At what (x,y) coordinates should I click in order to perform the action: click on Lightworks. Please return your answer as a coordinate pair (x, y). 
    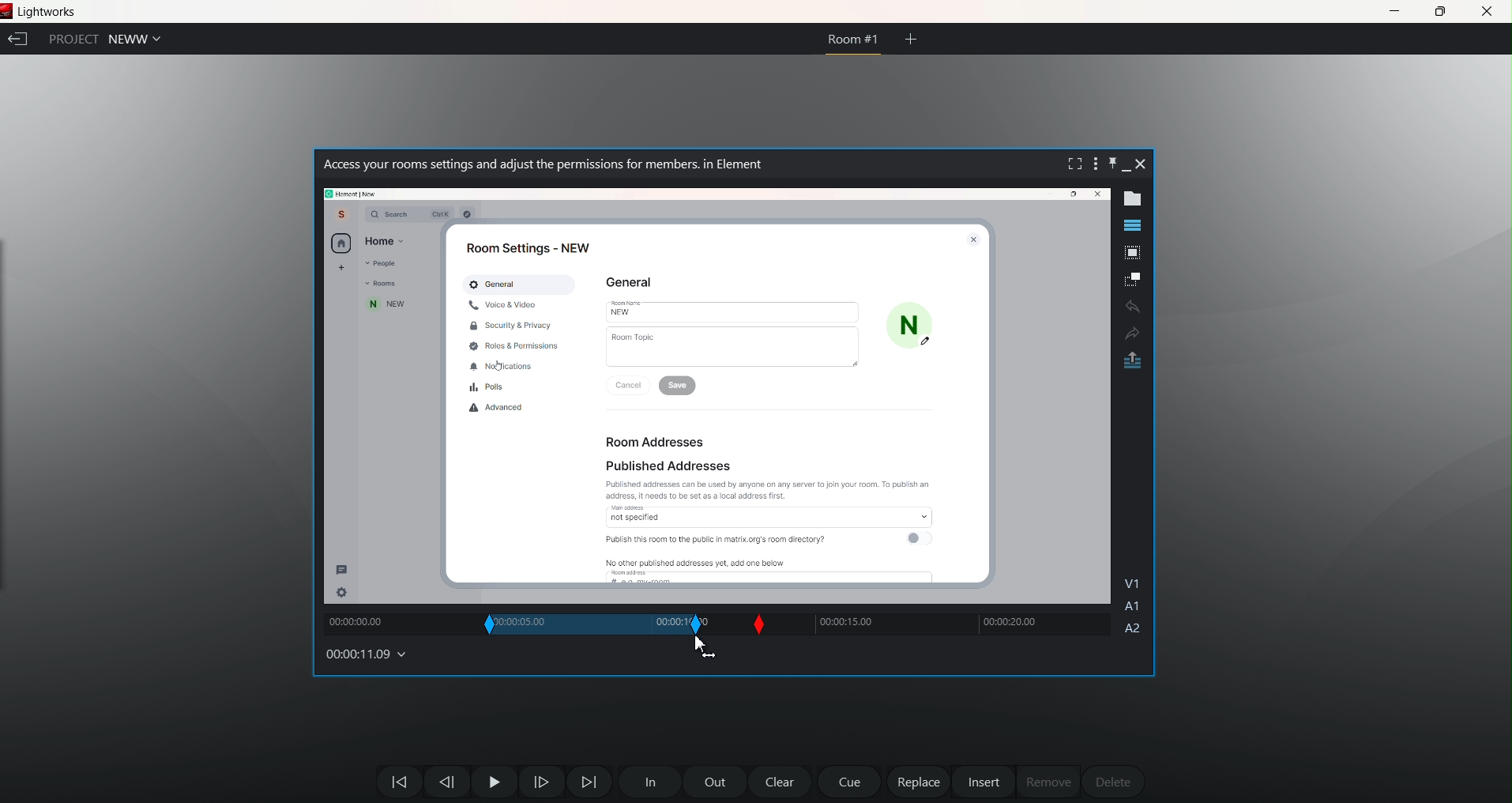
    Looking at the image, I should click on (55, 13).